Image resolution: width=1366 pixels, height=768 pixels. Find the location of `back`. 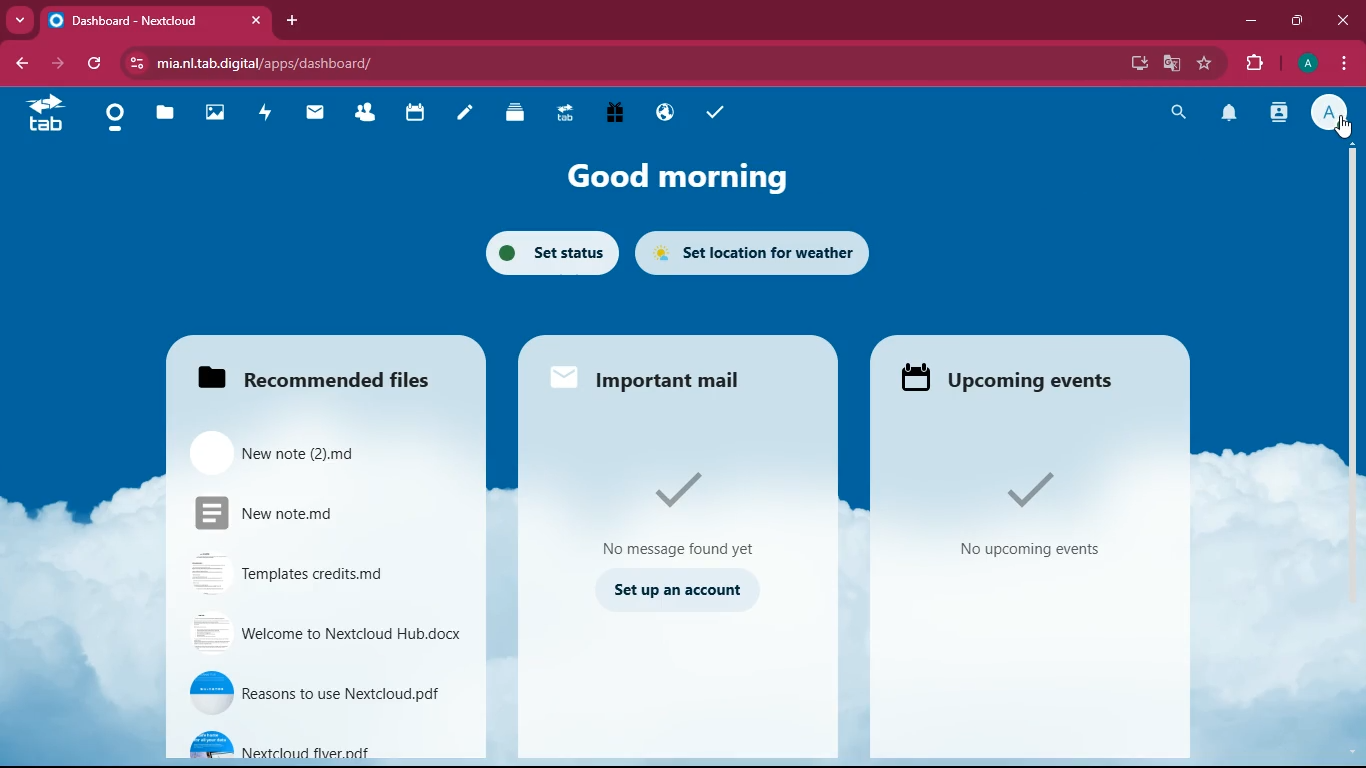

back is located at coordinates (22, 63).